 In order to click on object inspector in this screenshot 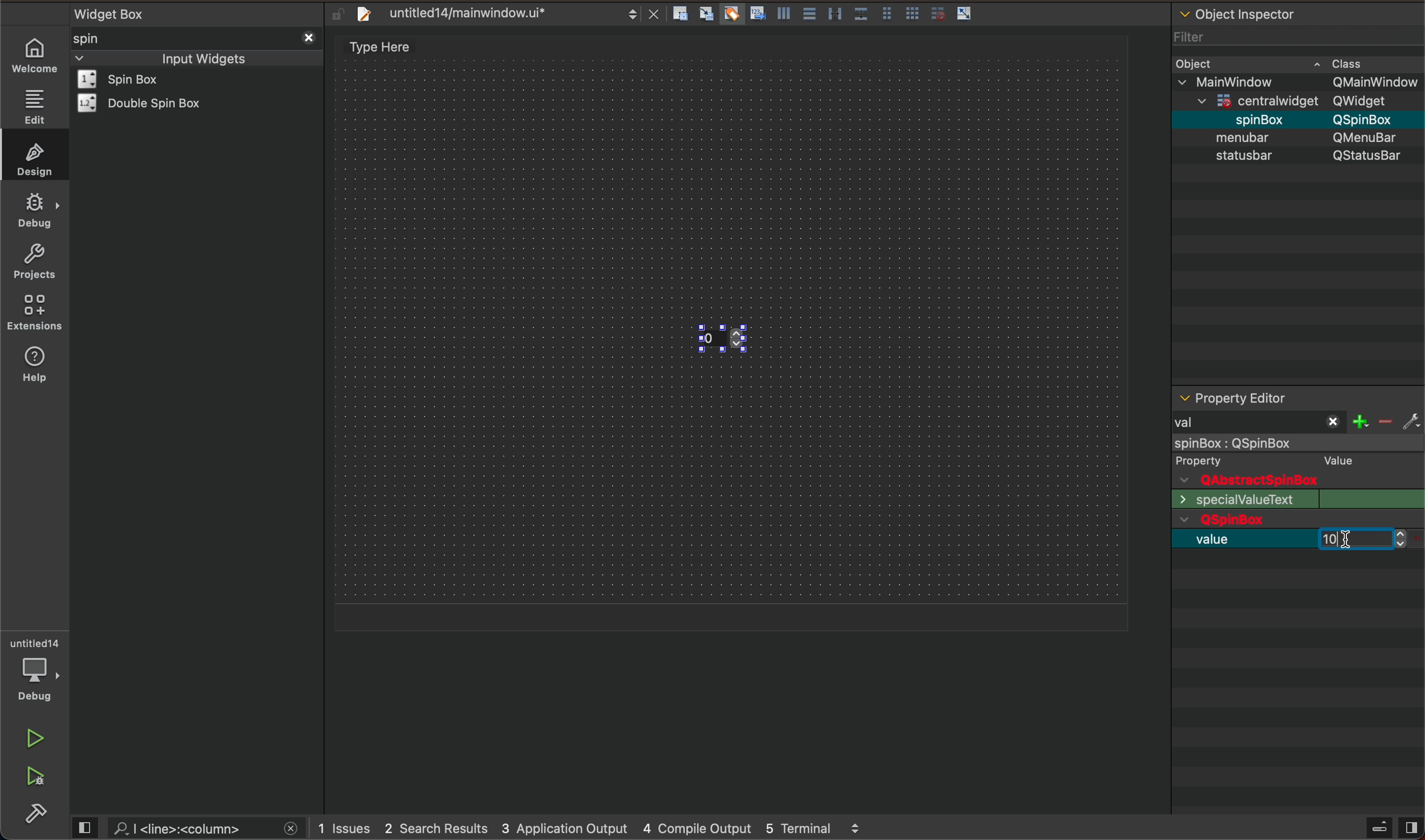, I will do `click(1298, 12)`.